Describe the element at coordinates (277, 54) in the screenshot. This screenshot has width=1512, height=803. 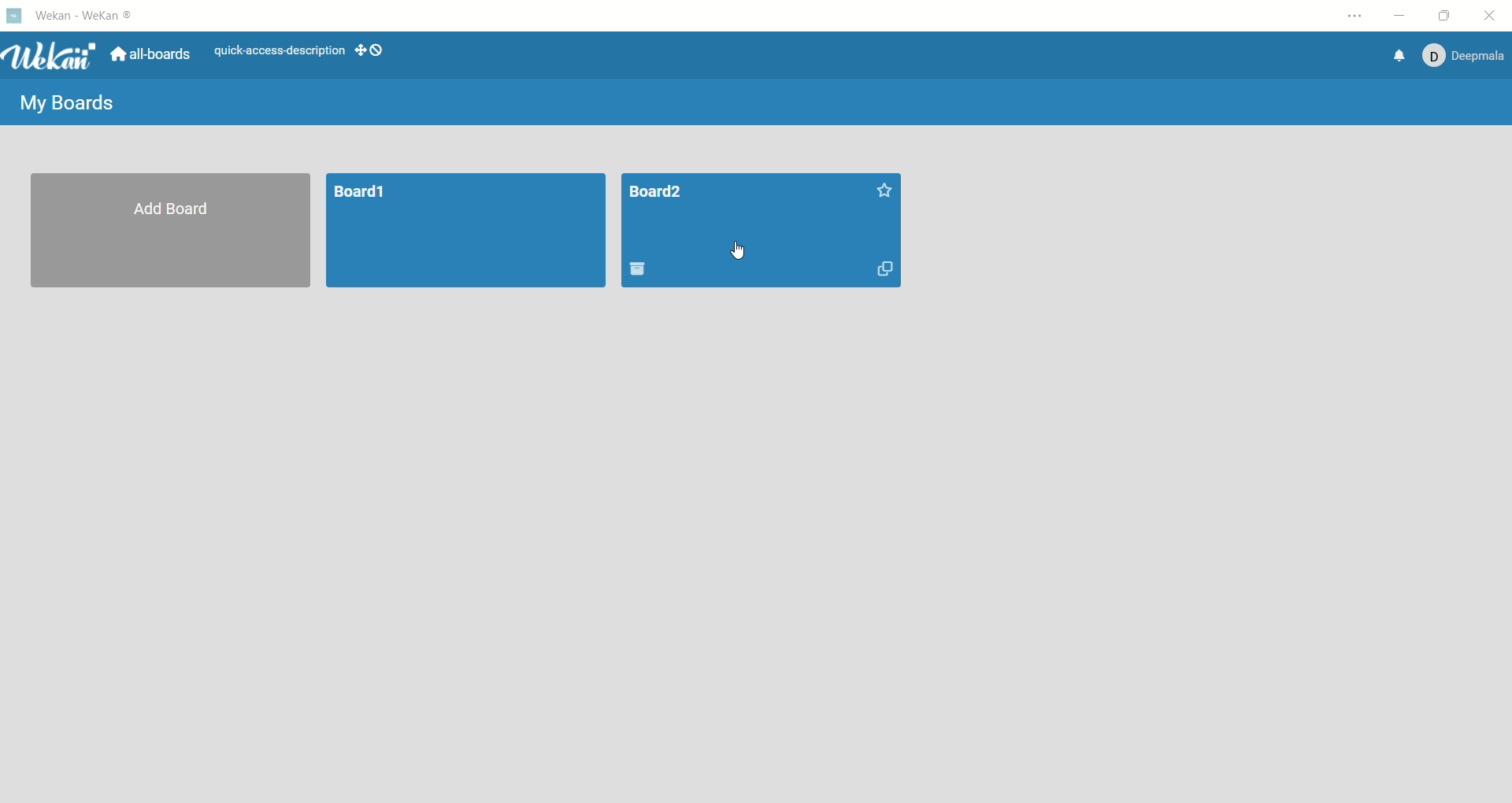
I see `text` at that location.